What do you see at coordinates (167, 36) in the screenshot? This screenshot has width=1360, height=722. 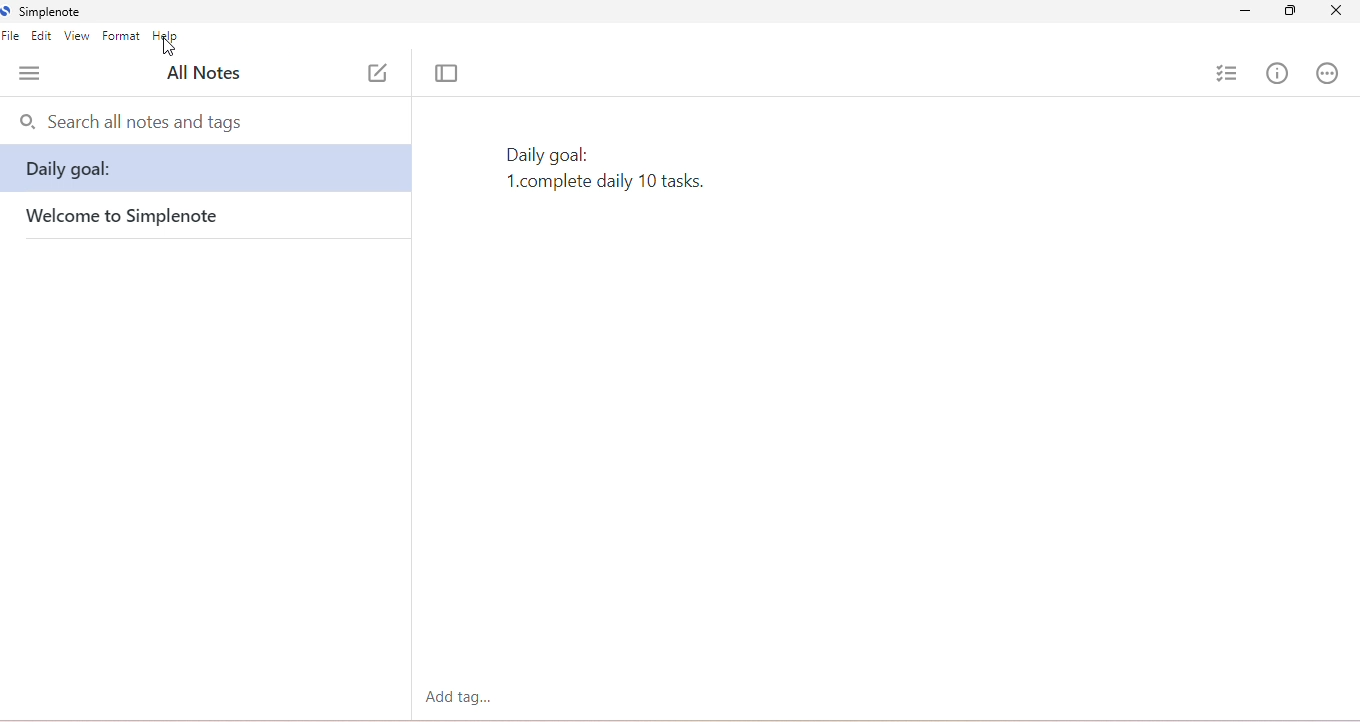 I see `help` at bounding box center [167, 36].